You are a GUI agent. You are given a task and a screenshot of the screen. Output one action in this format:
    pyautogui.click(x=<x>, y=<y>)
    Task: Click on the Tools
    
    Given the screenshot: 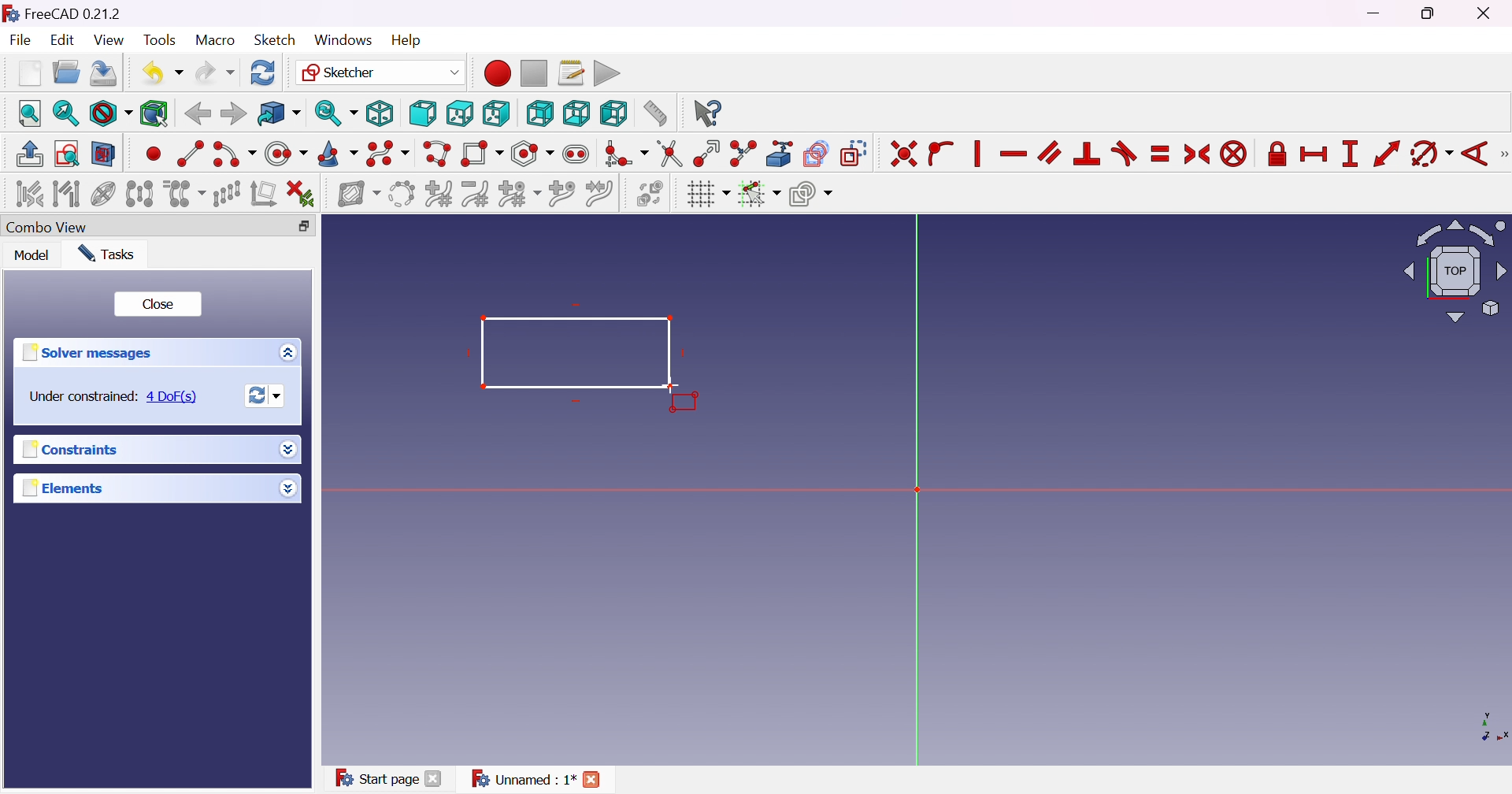 What is the action you would take?
    pyautogui.click(x=158, y=37)
    